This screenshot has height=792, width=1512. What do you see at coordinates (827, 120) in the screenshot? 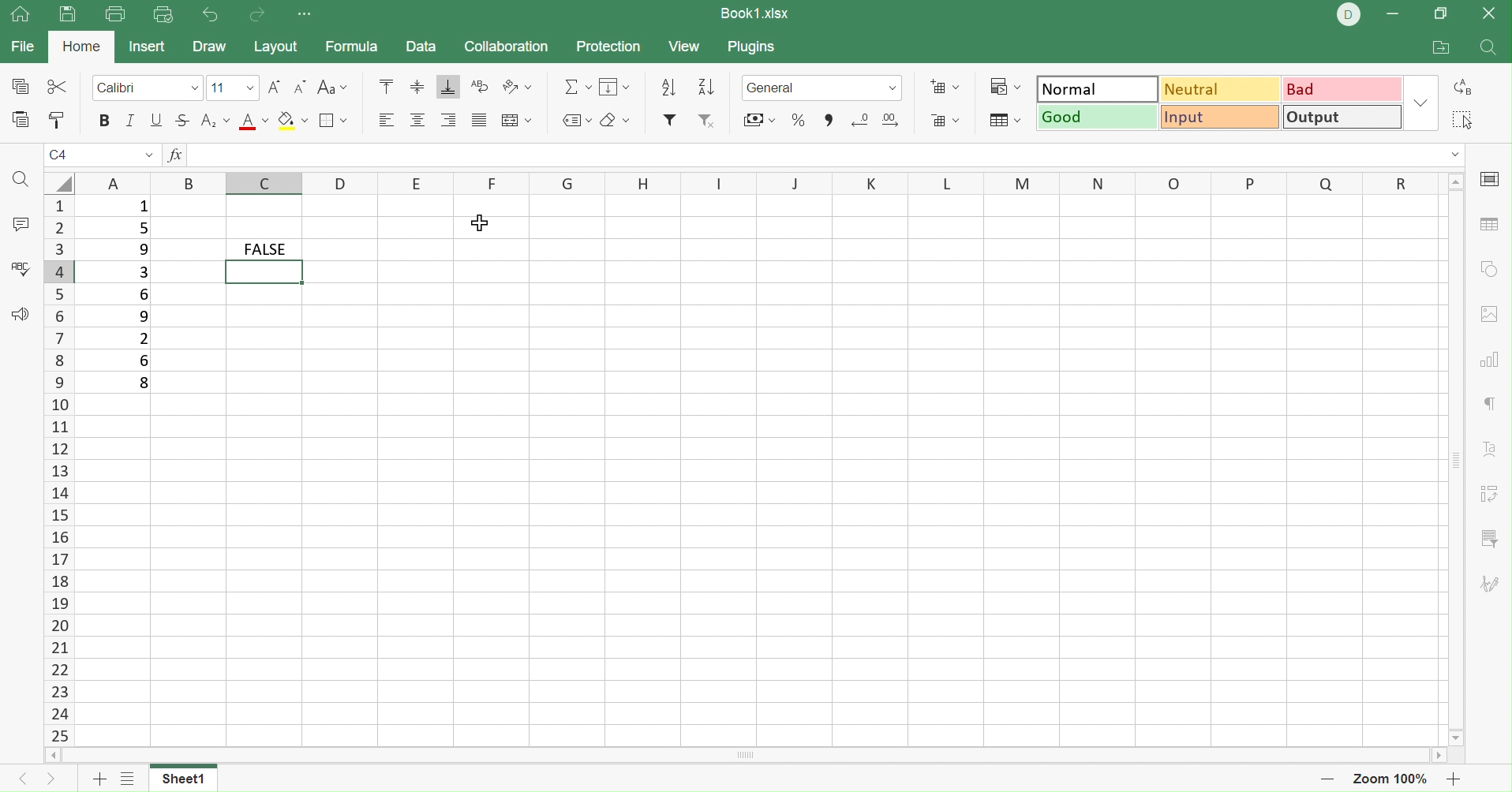
I see `Comma` at bounding box center [827, 120].